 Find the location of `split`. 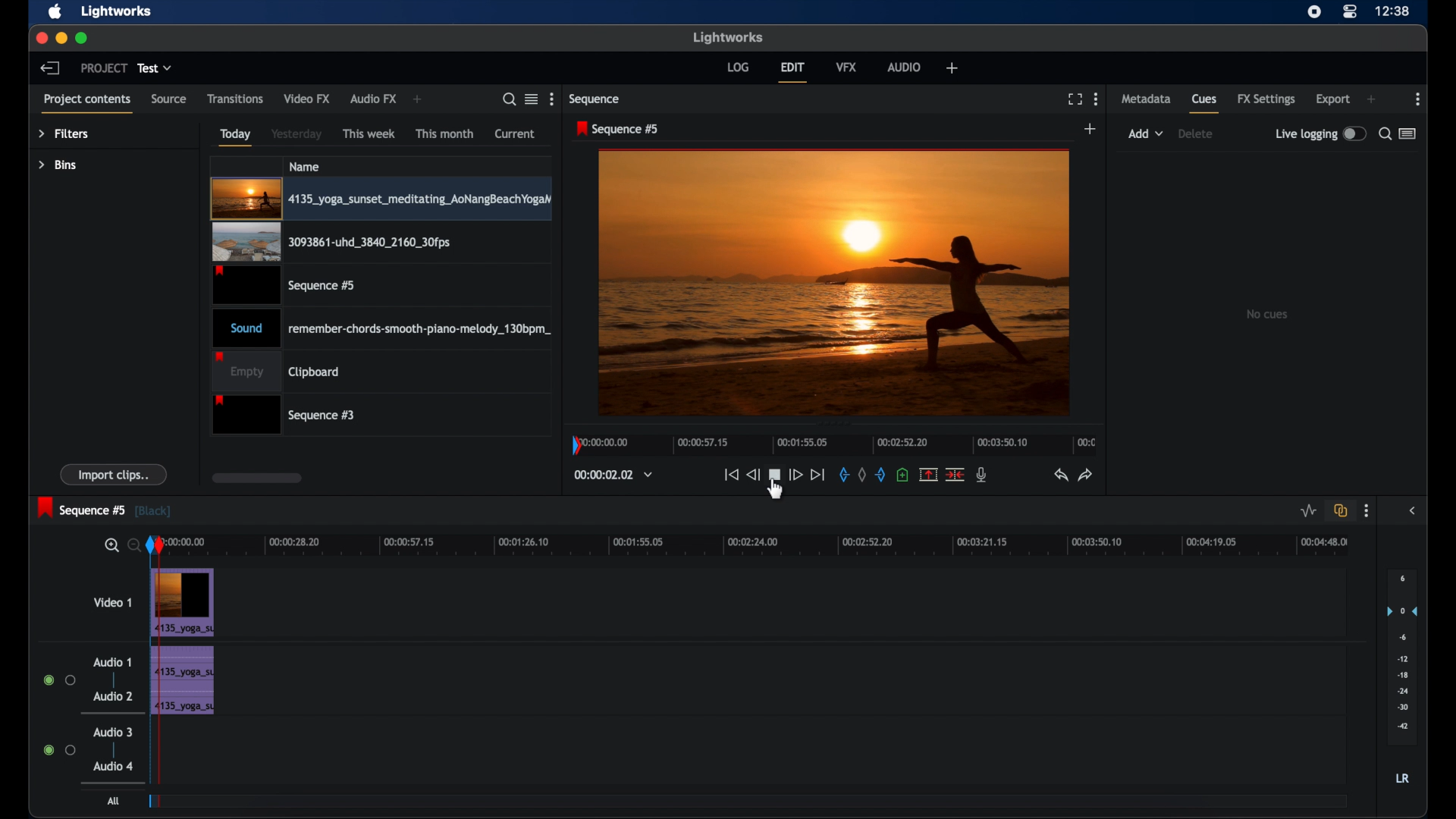

split is located at coordinates (955, 475).